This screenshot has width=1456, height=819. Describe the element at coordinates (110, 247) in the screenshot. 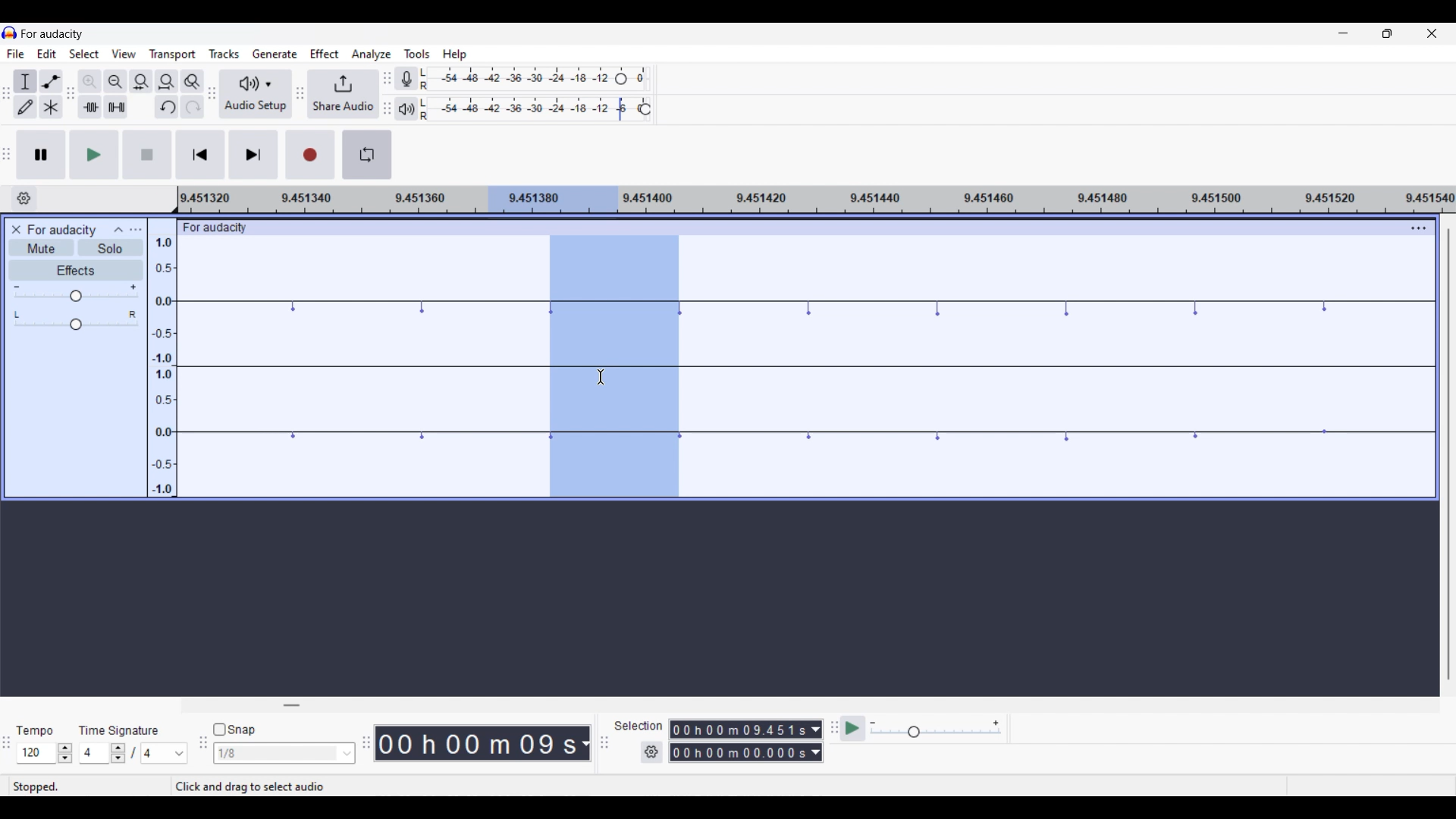

I see `Solo` at that location.